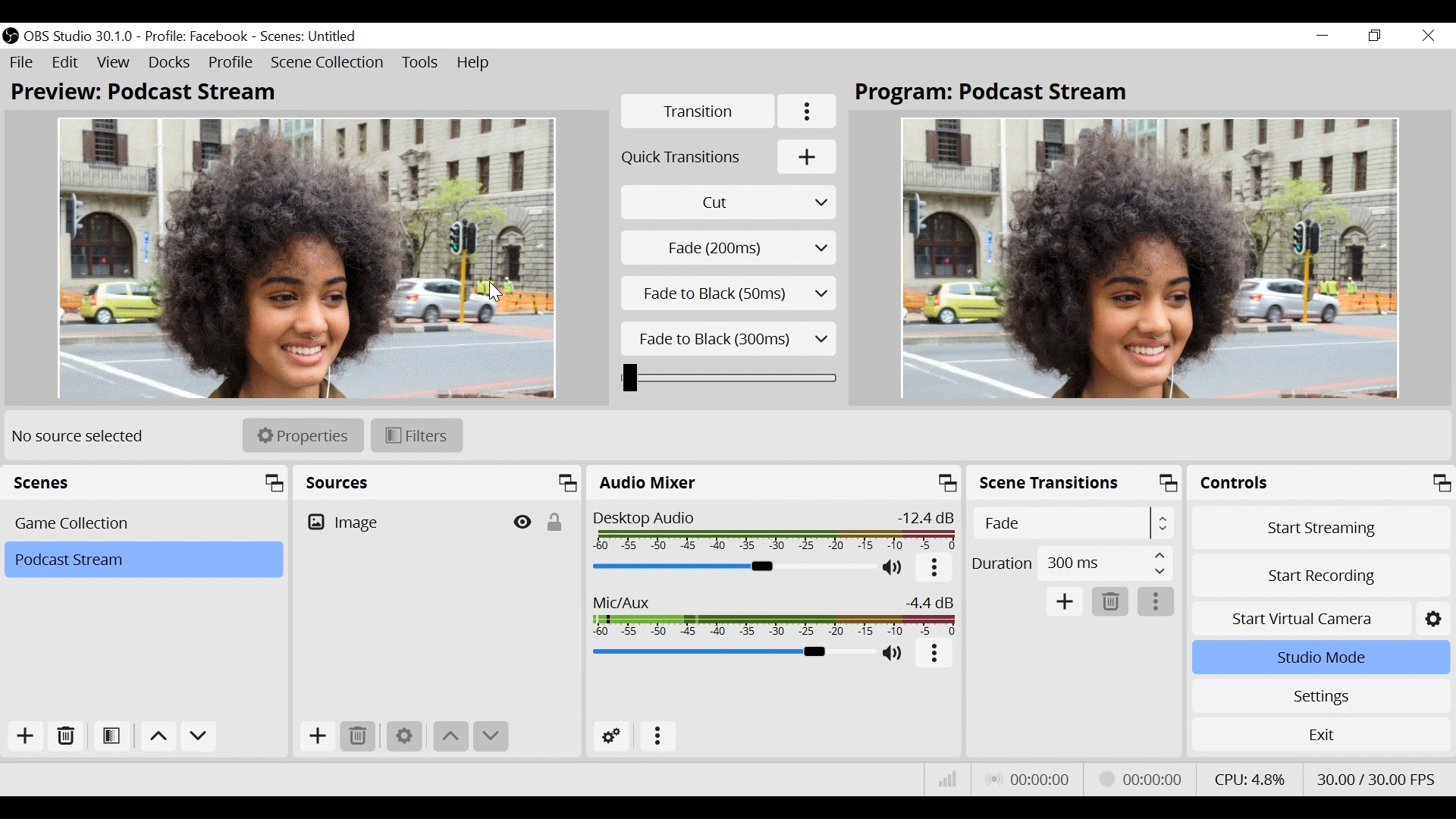  Describe the element at coordinates (11, 36) in the screenshot. I see `OBS Studio Desktop Icon` at that location.